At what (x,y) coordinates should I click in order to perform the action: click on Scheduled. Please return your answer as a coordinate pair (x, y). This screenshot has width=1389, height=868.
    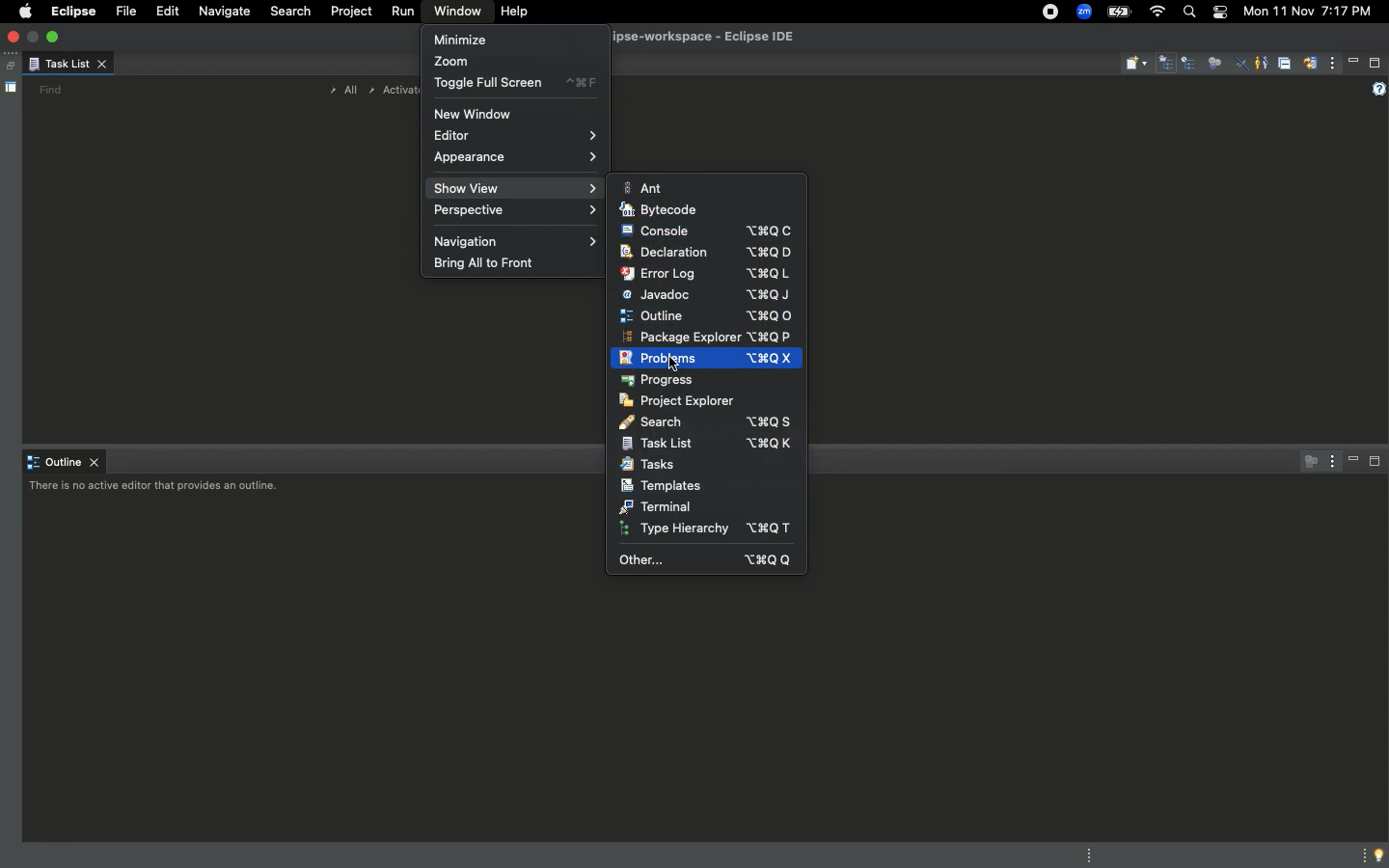
    Looking at the image, I should click on (1190, 65).